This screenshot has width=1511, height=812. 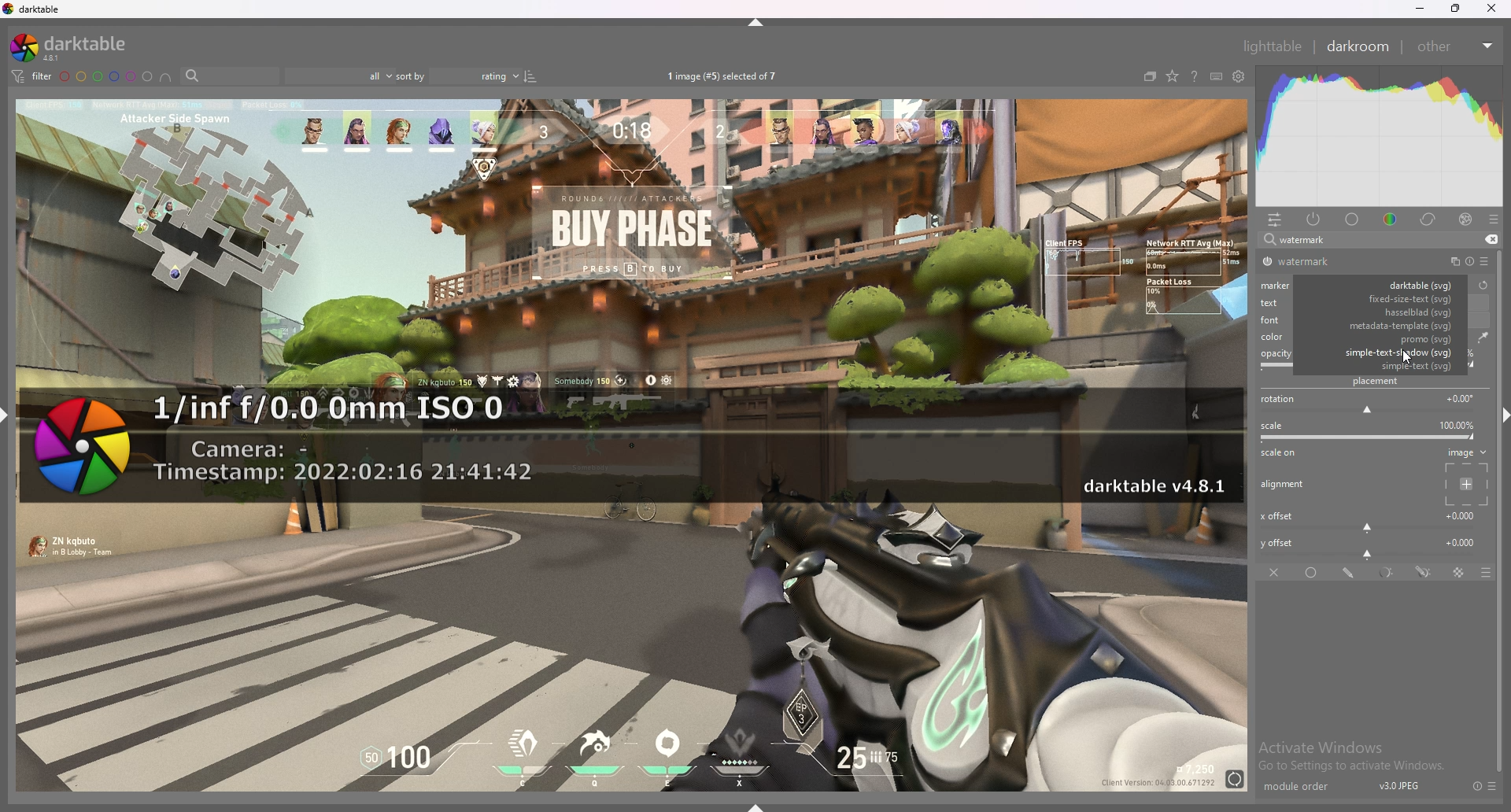 What do you see at coordinates (1387, 340) in the screenshot?
I see `promo svg` at bounding box center [1387, 340].